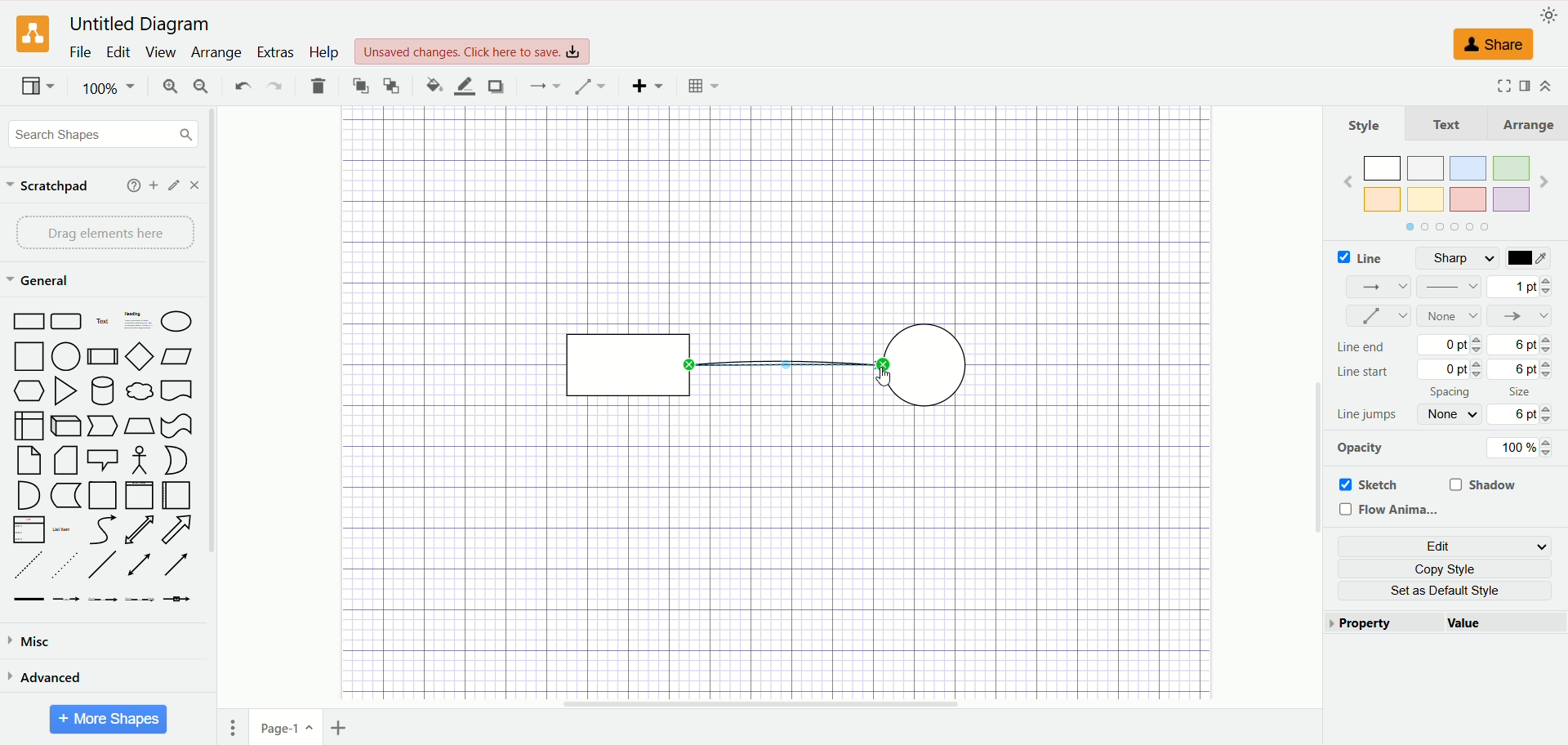 The width and height of the screenshot is (1568, 745). Describe the element at coordinates (102, 321) in the screenshot. I see `Text` at that location.